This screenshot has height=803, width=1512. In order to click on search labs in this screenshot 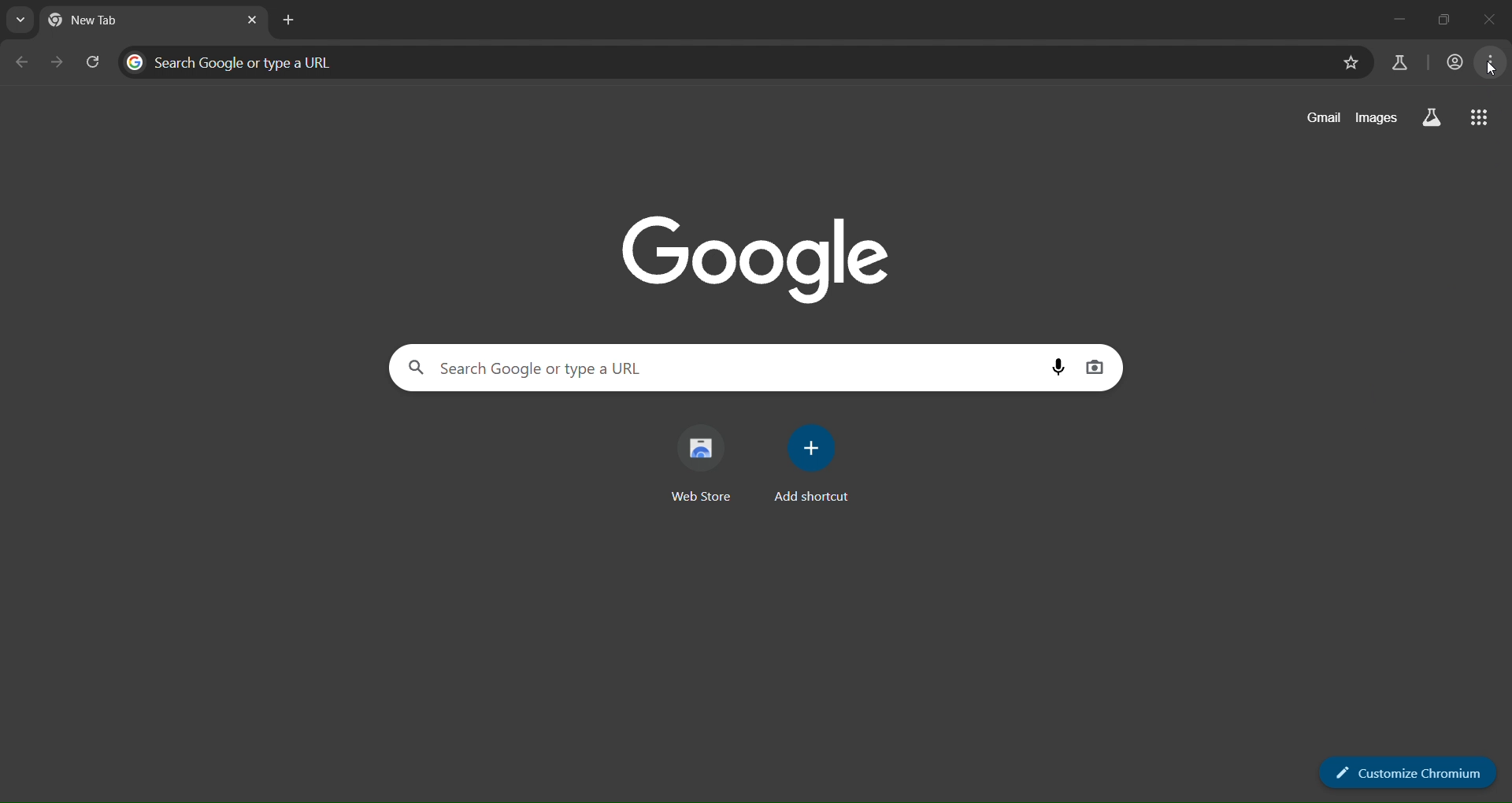, I will do `click(1429, 117)`.